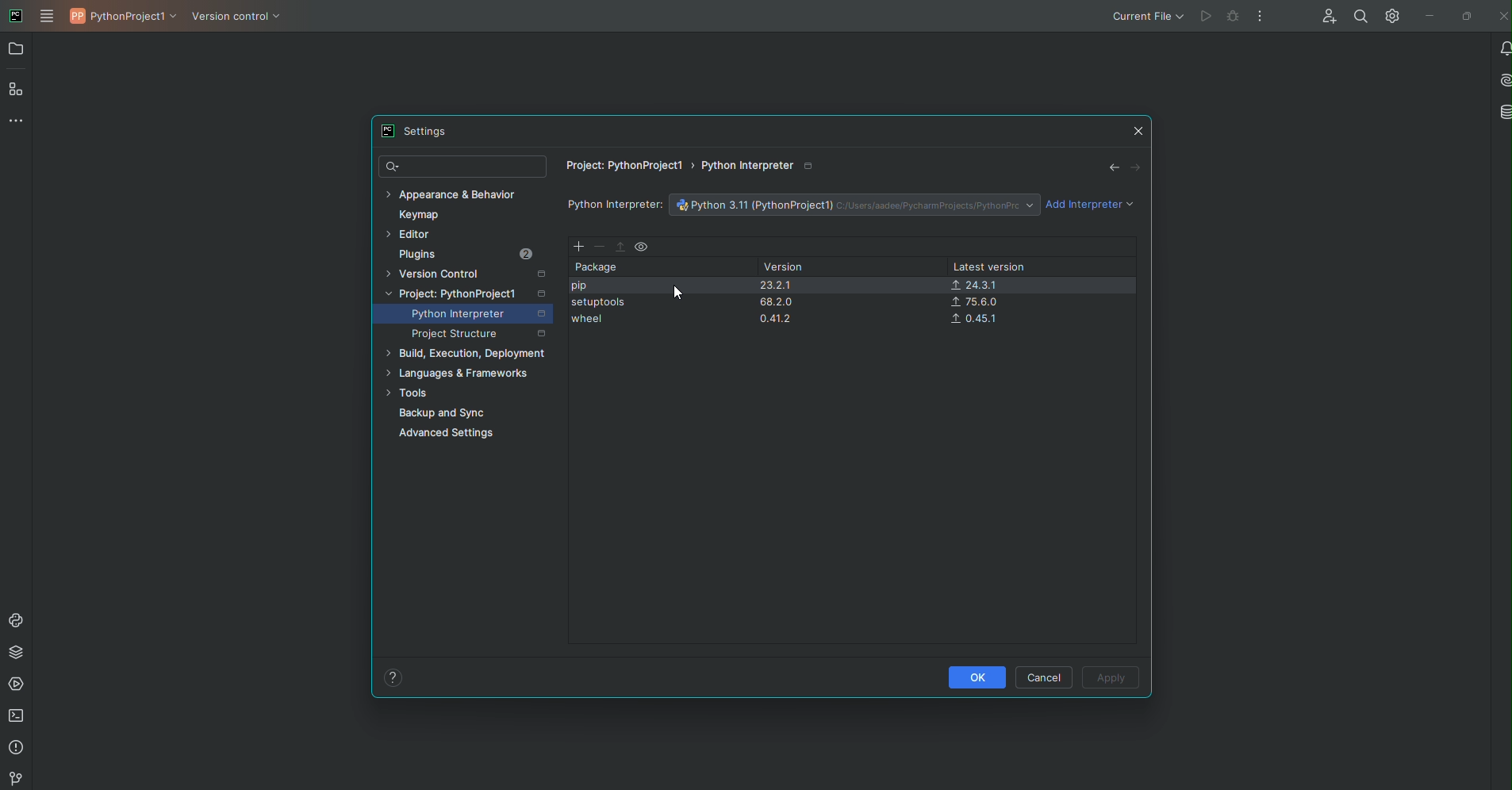 The image size is (1512, 790). What do you see at coordinates (577, 247) in the screenshot?
I see `Add` at bounding box center [577, 247].